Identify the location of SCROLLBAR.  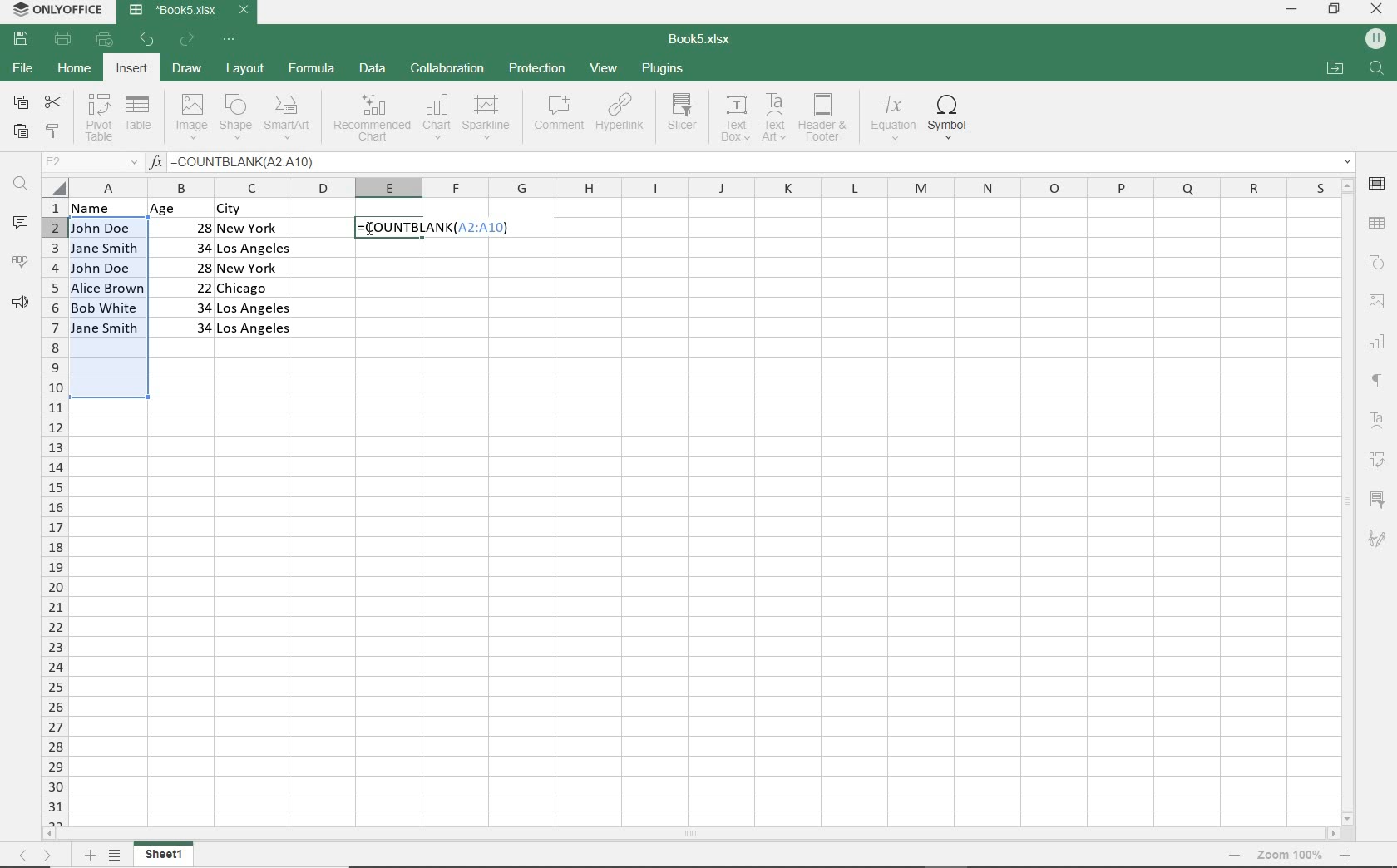
(692, 834).